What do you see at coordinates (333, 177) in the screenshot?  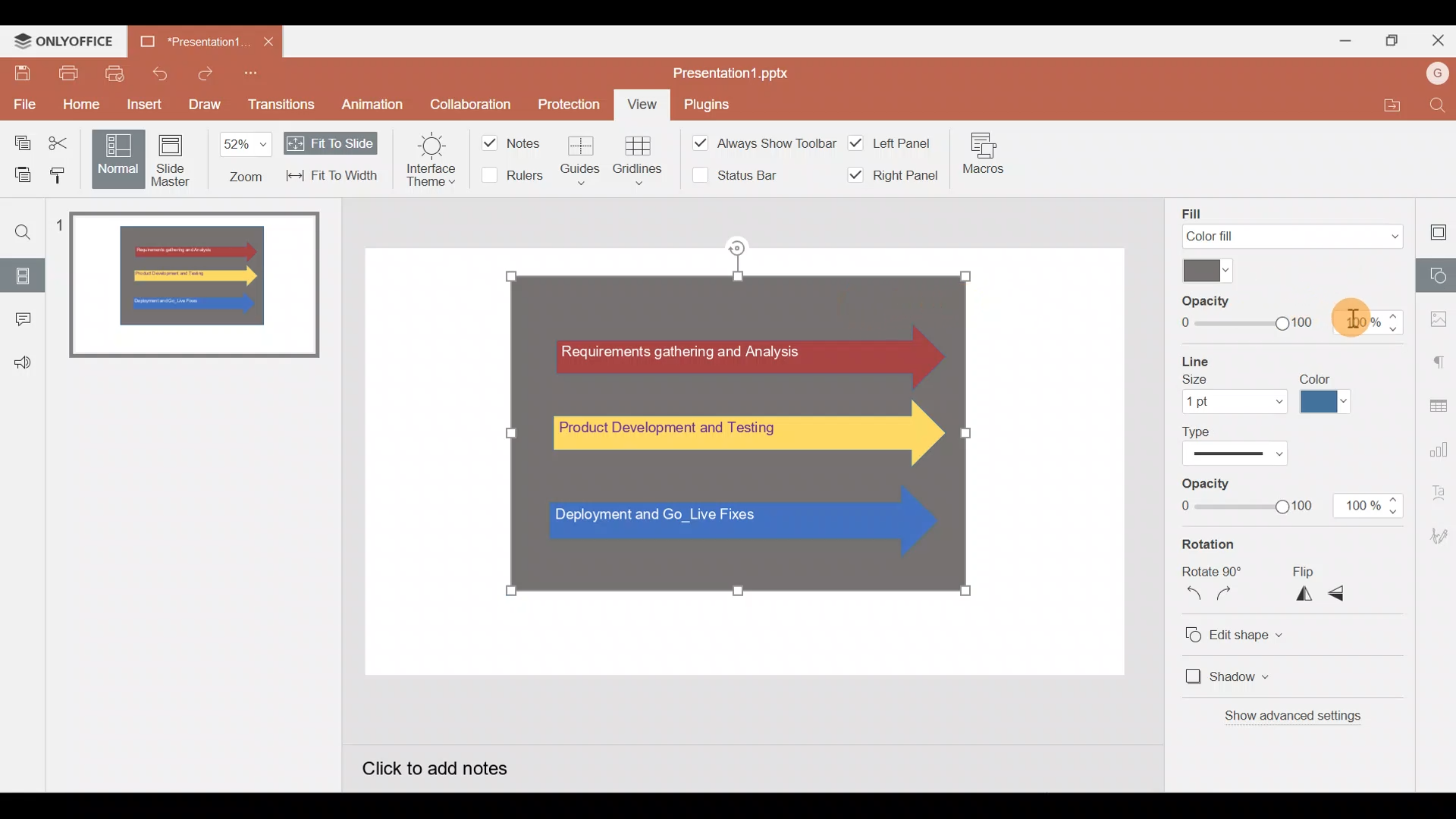 I see `Fit to width` at bounding box center [333, 177].